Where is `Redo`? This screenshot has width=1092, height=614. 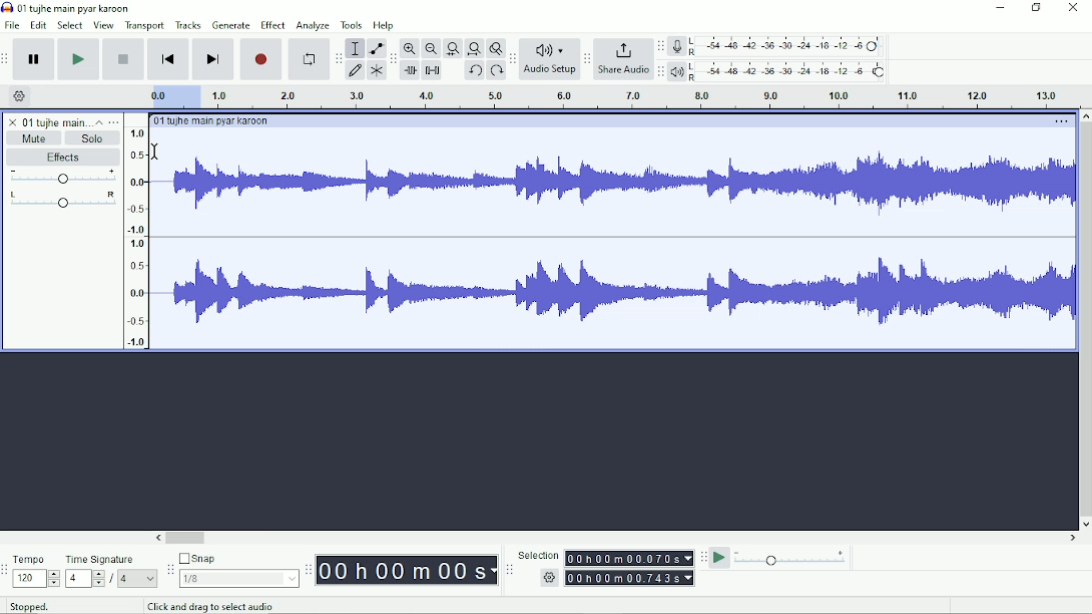 Redo is located at coordinates (496, 72).